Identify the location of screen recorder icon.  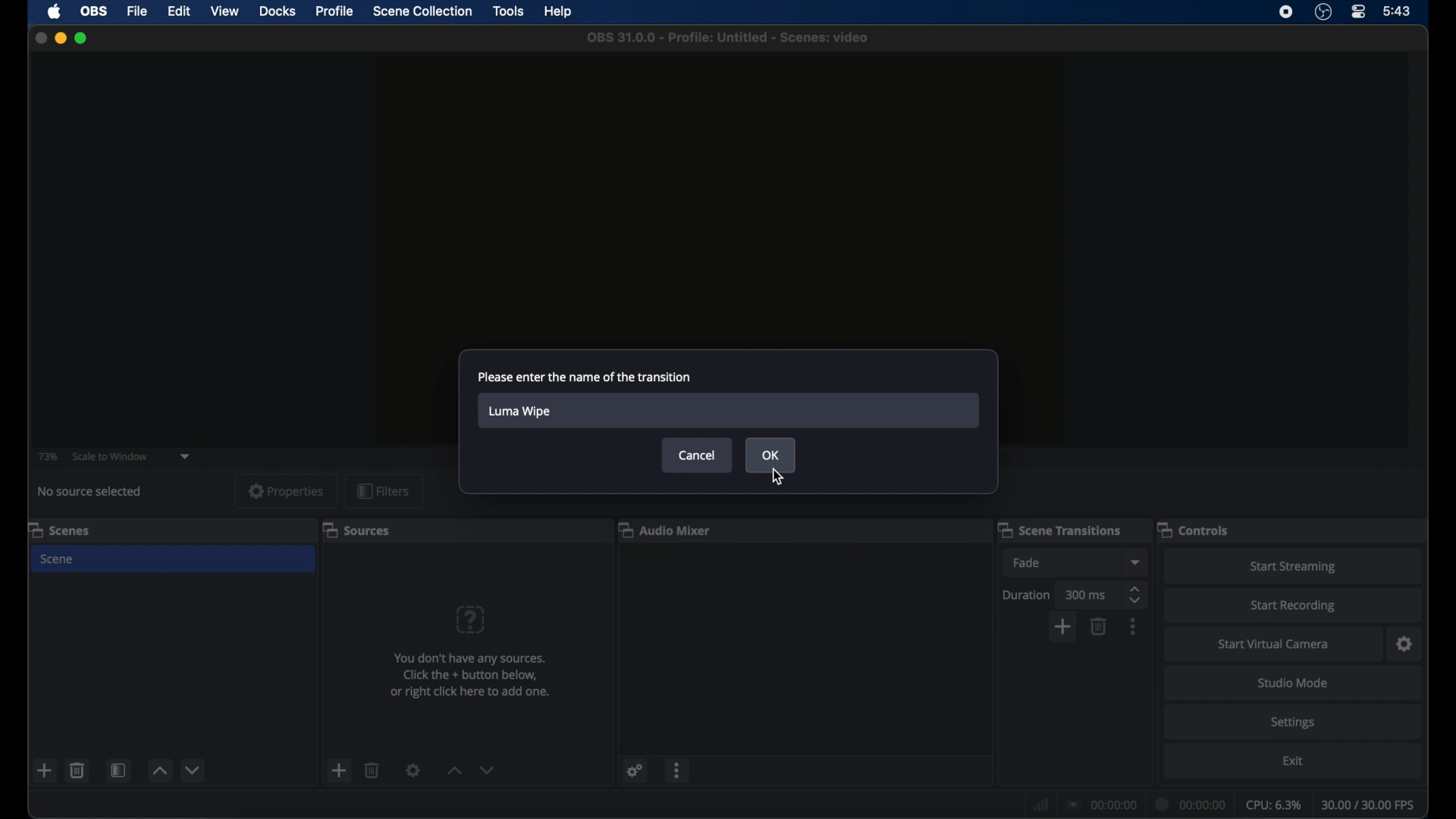
(1285, 12).